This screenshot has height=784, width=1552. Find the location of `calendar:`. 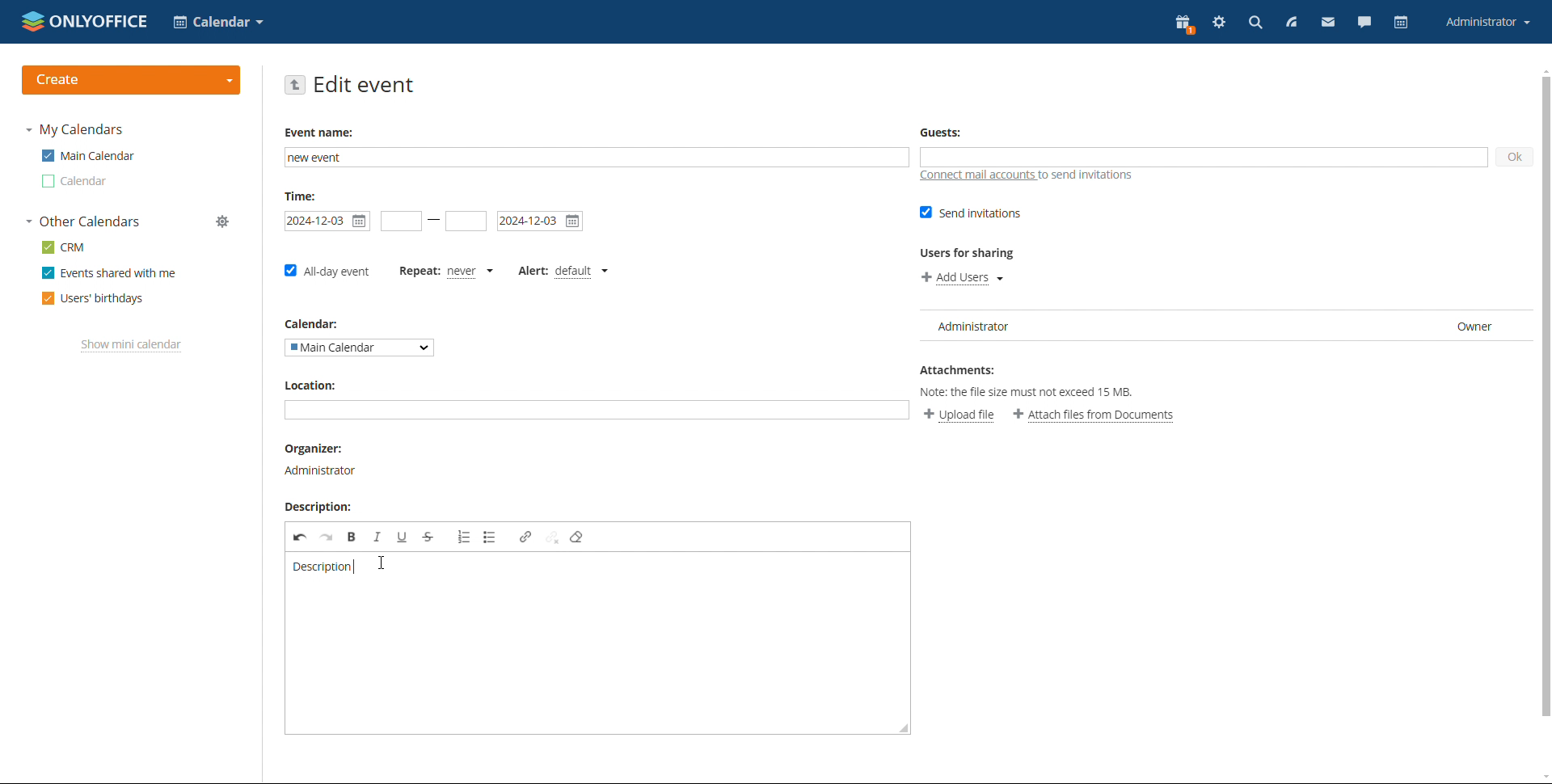

calendar: is located at coordinates (317, 322).